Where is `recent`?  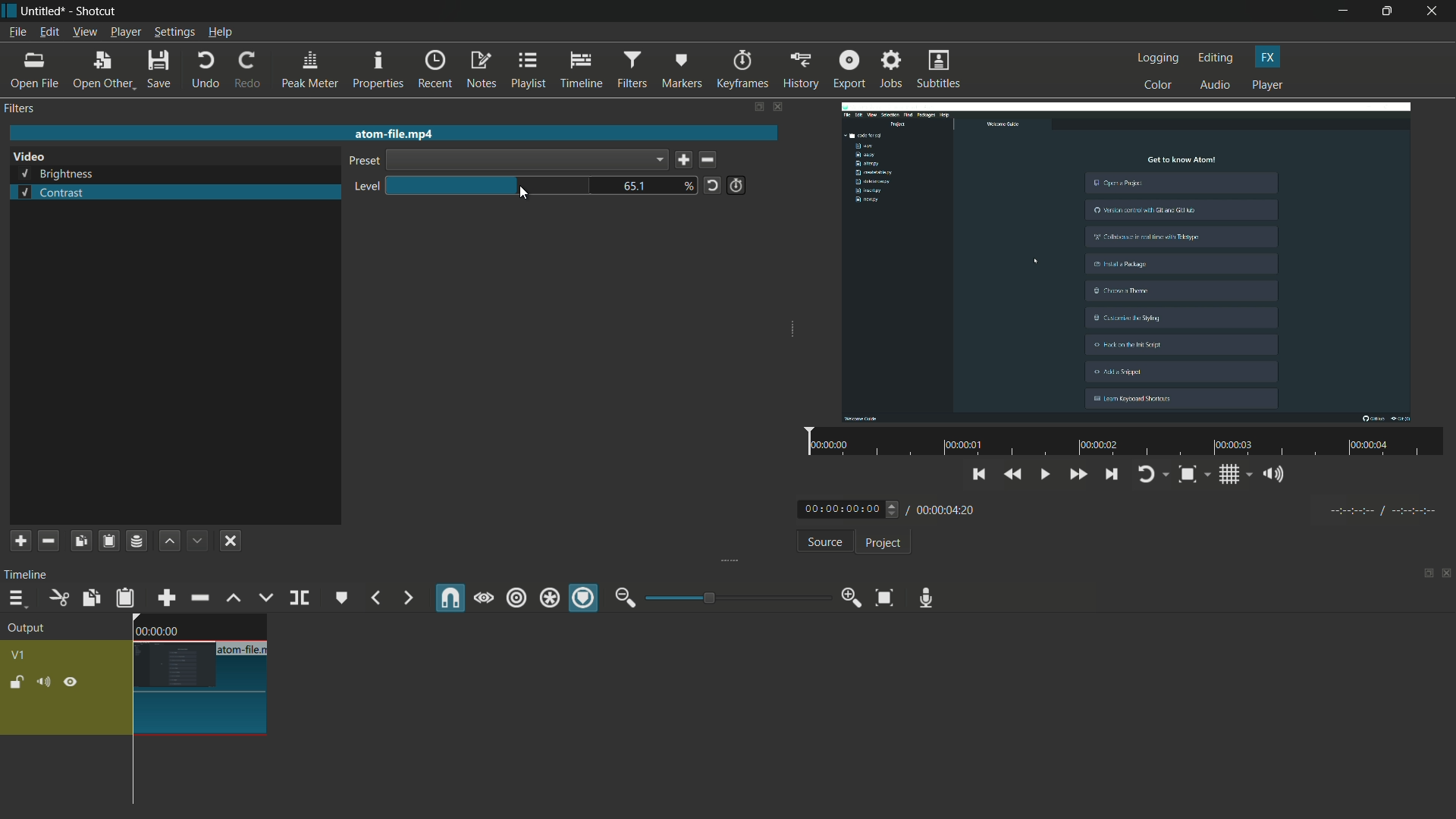 recent is located at coordinates (437, 69).